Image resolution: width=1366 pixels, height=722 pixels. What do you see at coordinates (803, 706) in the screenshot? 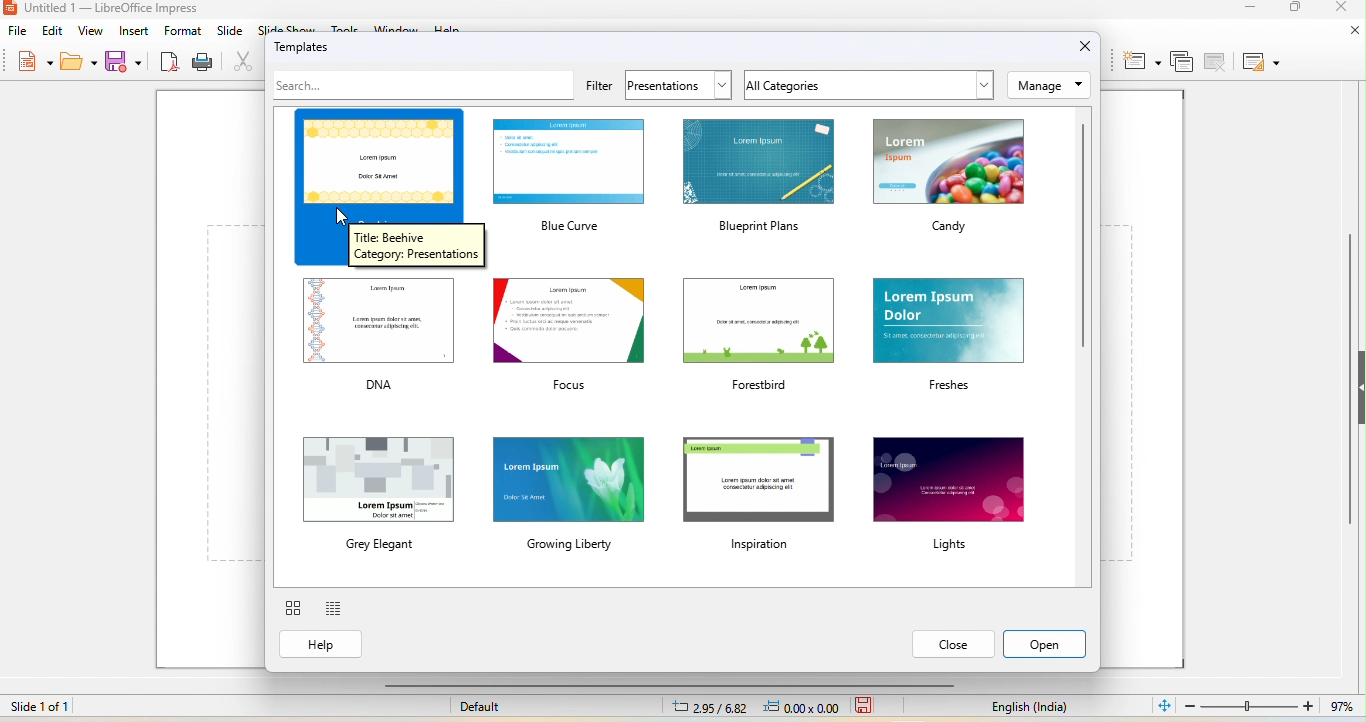
I see `0.00x0.00 (object position)` at bounding box center [803, 706].